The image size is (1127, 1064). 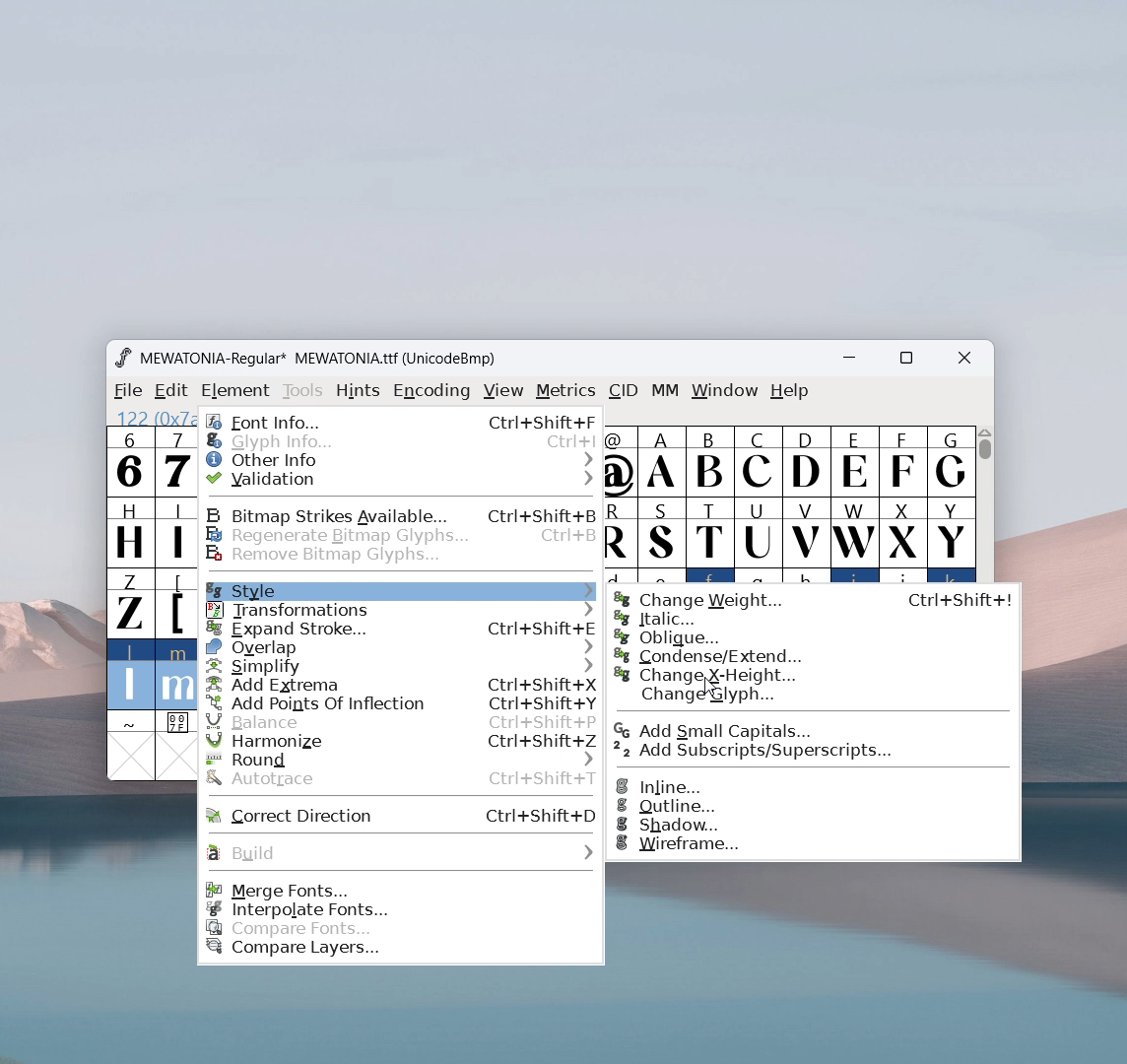 I want to click on add points of inflection, so click(x=402, y=703).